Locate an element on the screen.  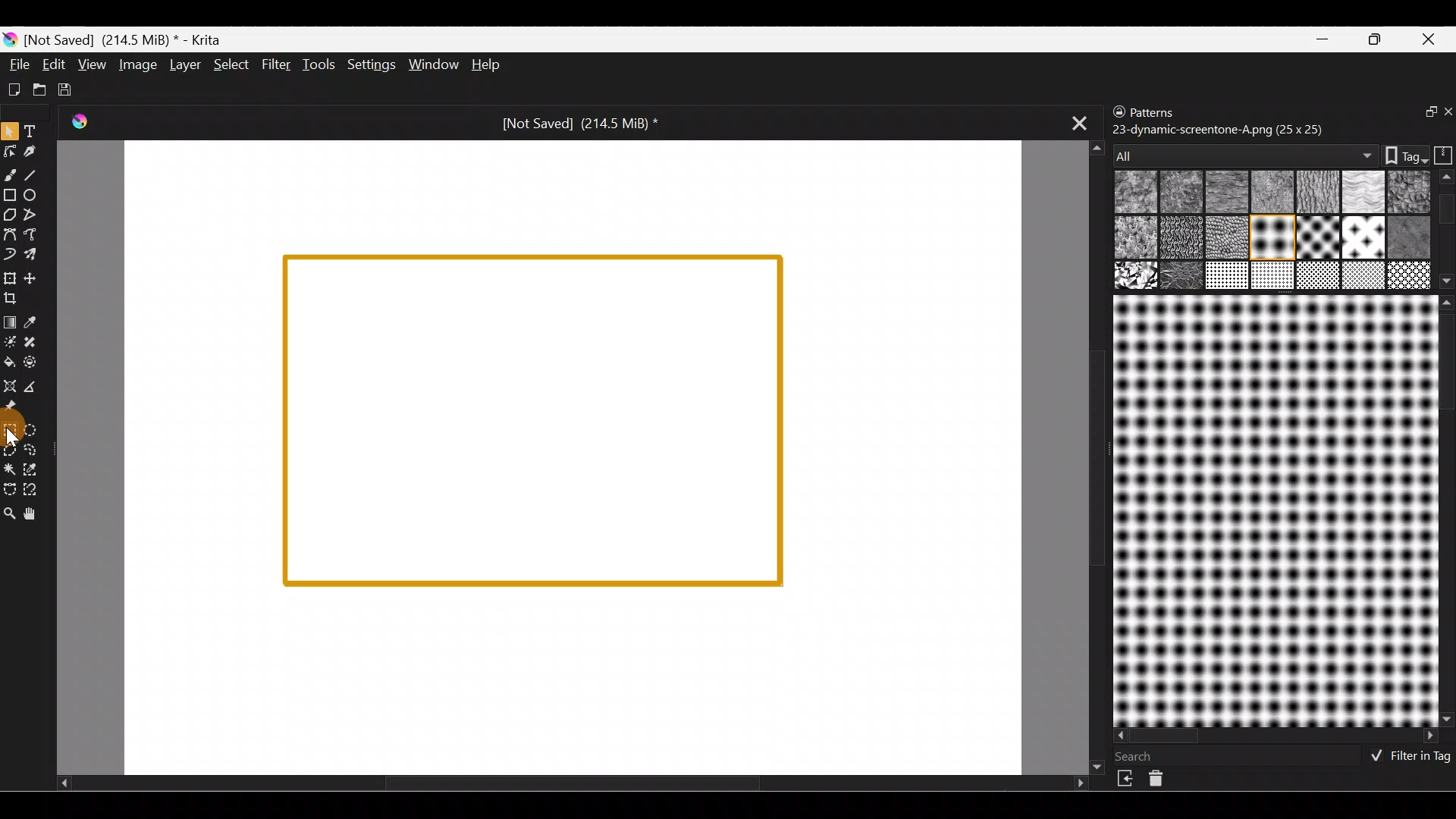
All patterns is located at coordinates (1241, 151).